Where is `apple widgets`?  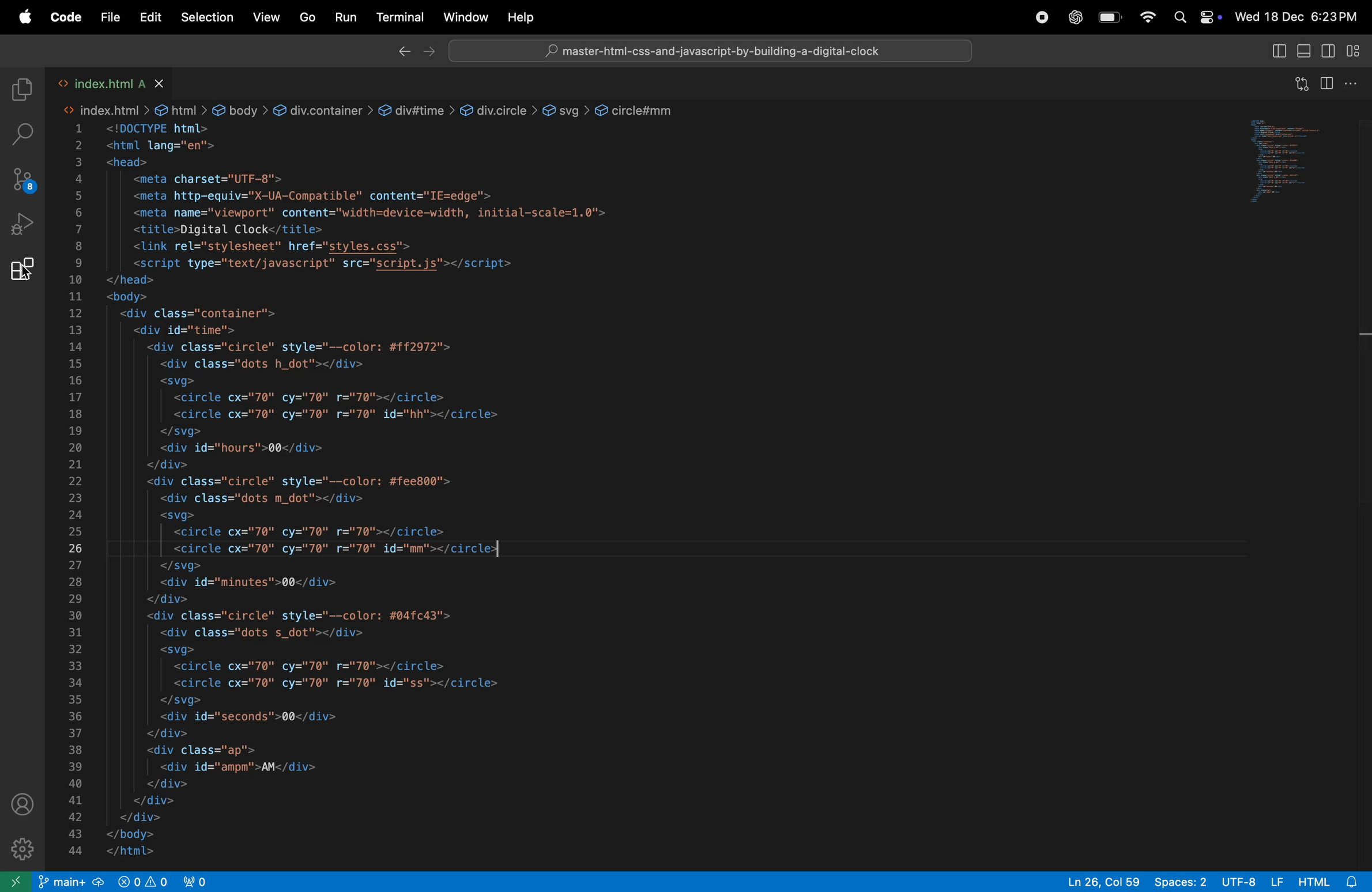 apple widgets is located at coordinates (1197, 17).